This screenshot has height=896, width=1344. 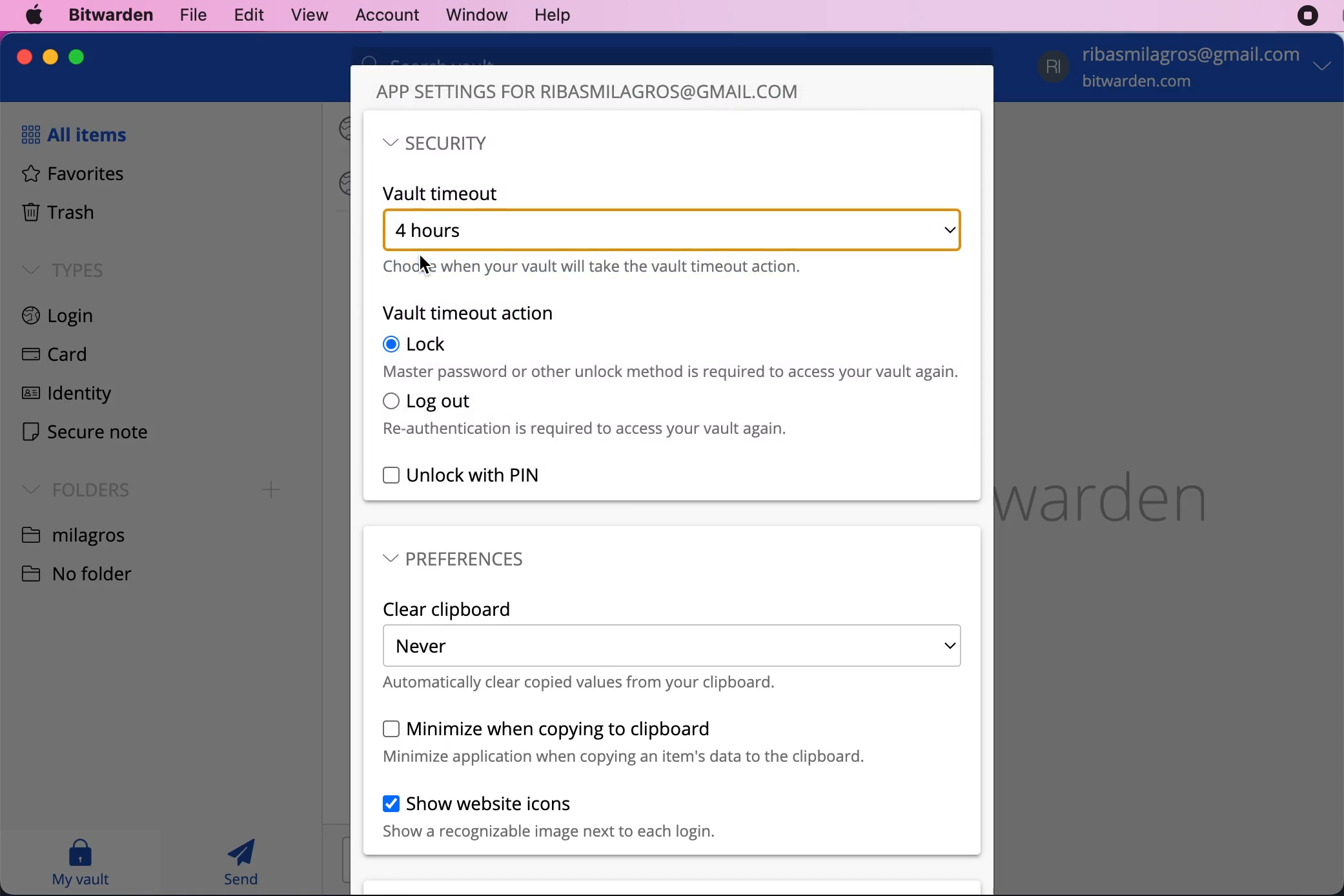 What do you see at coordinates (85, 434) in the screenshot?
I see `secure note` at bounding box center [85, 434].